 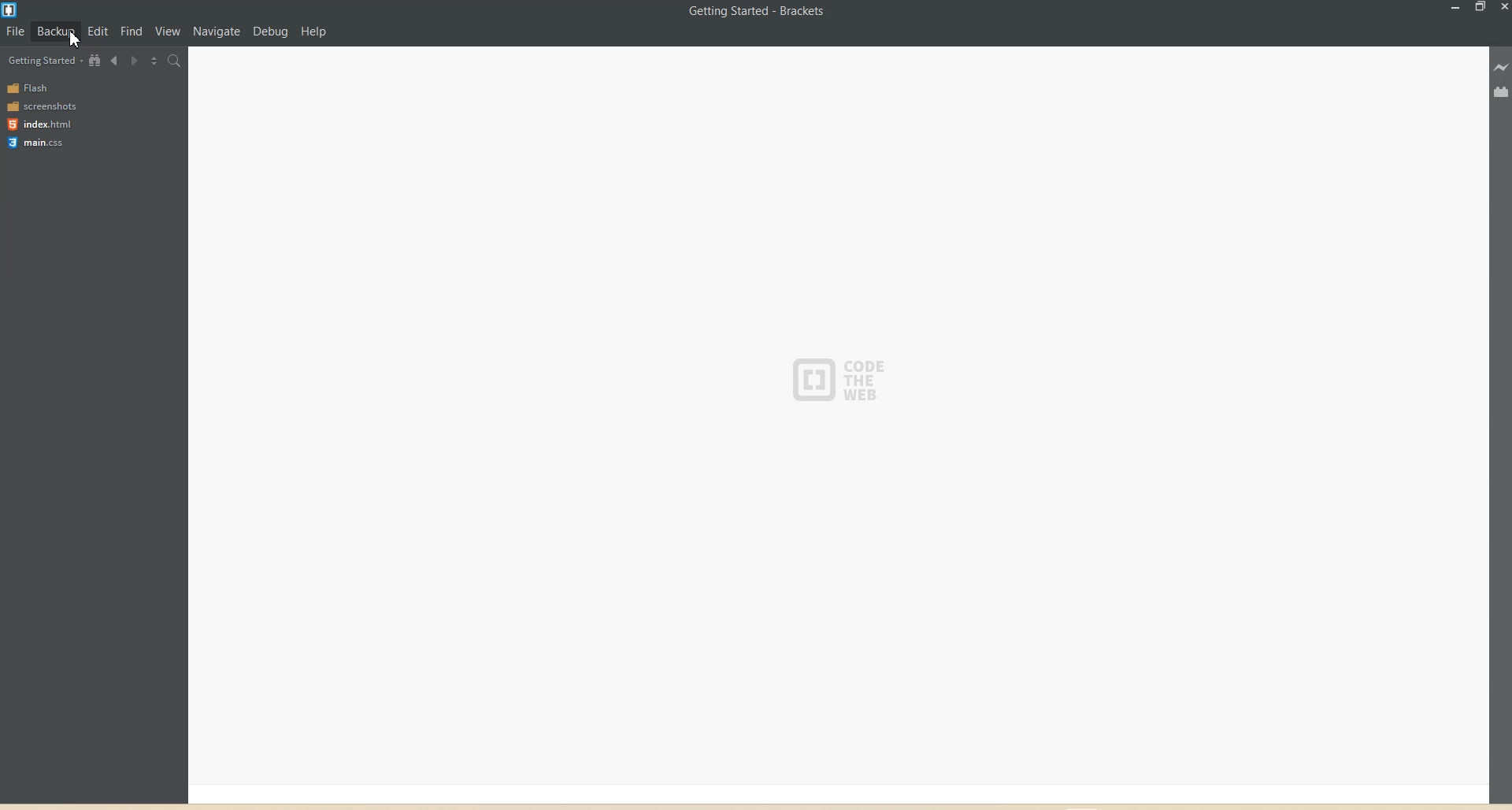 What do you see at coordinates (45, 61) in the screenshot?
I see `Getting Started` at bounding box center [45, 61].